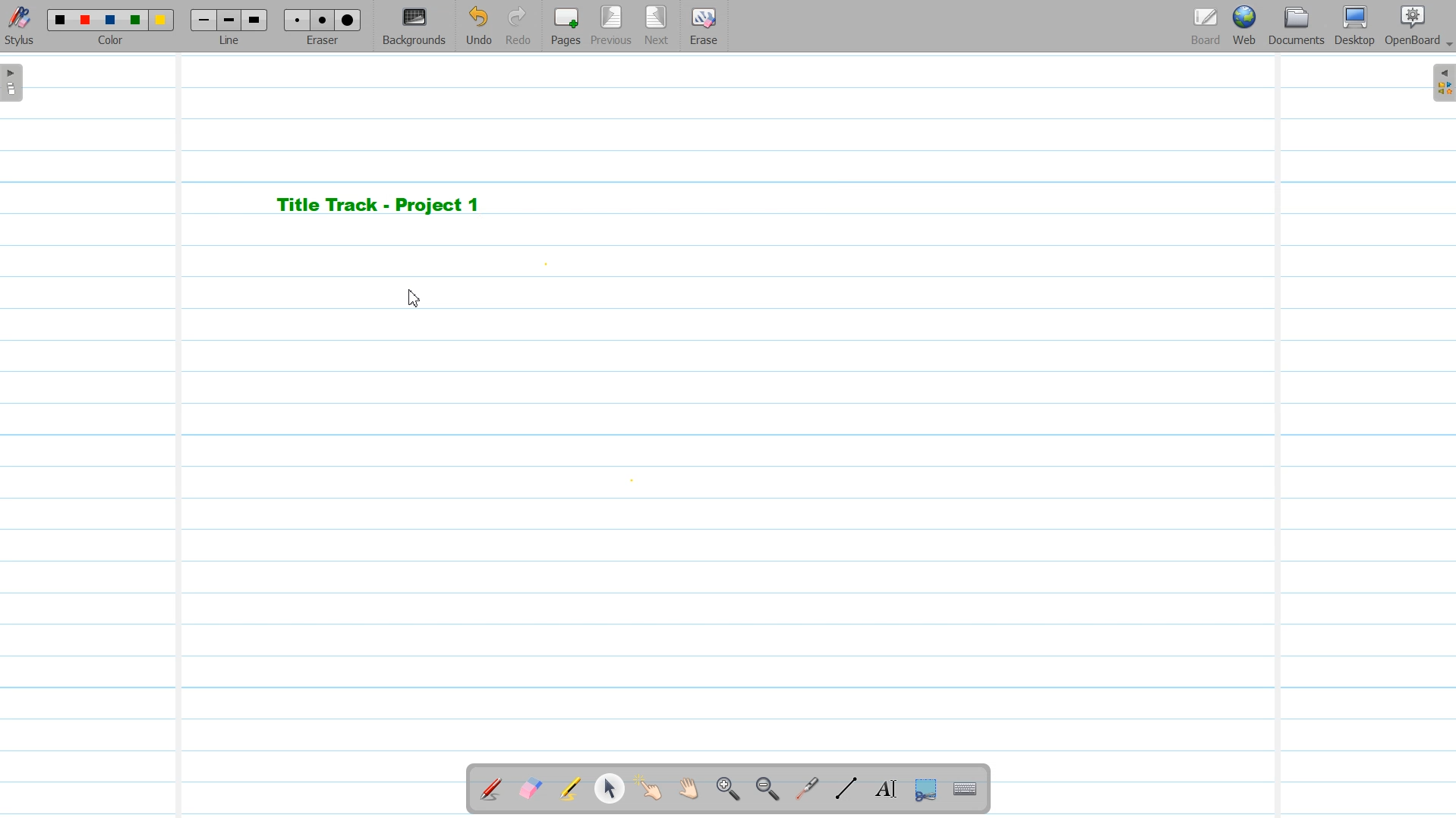 The image size is (1456, 818). Describe the element at coordinates (379, 205) in the screenshot. I see `title text` at that location.